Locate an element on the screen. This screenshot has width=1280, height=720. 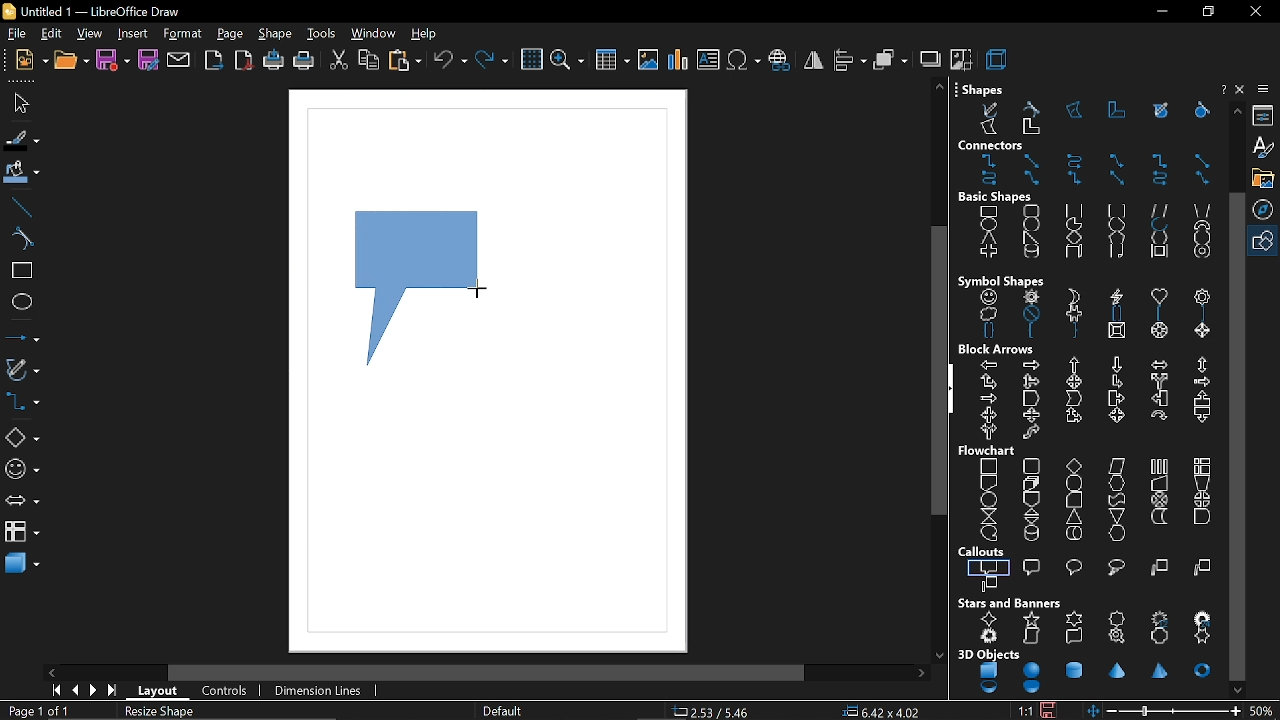
left brace is located at coordinates (1030, 331).